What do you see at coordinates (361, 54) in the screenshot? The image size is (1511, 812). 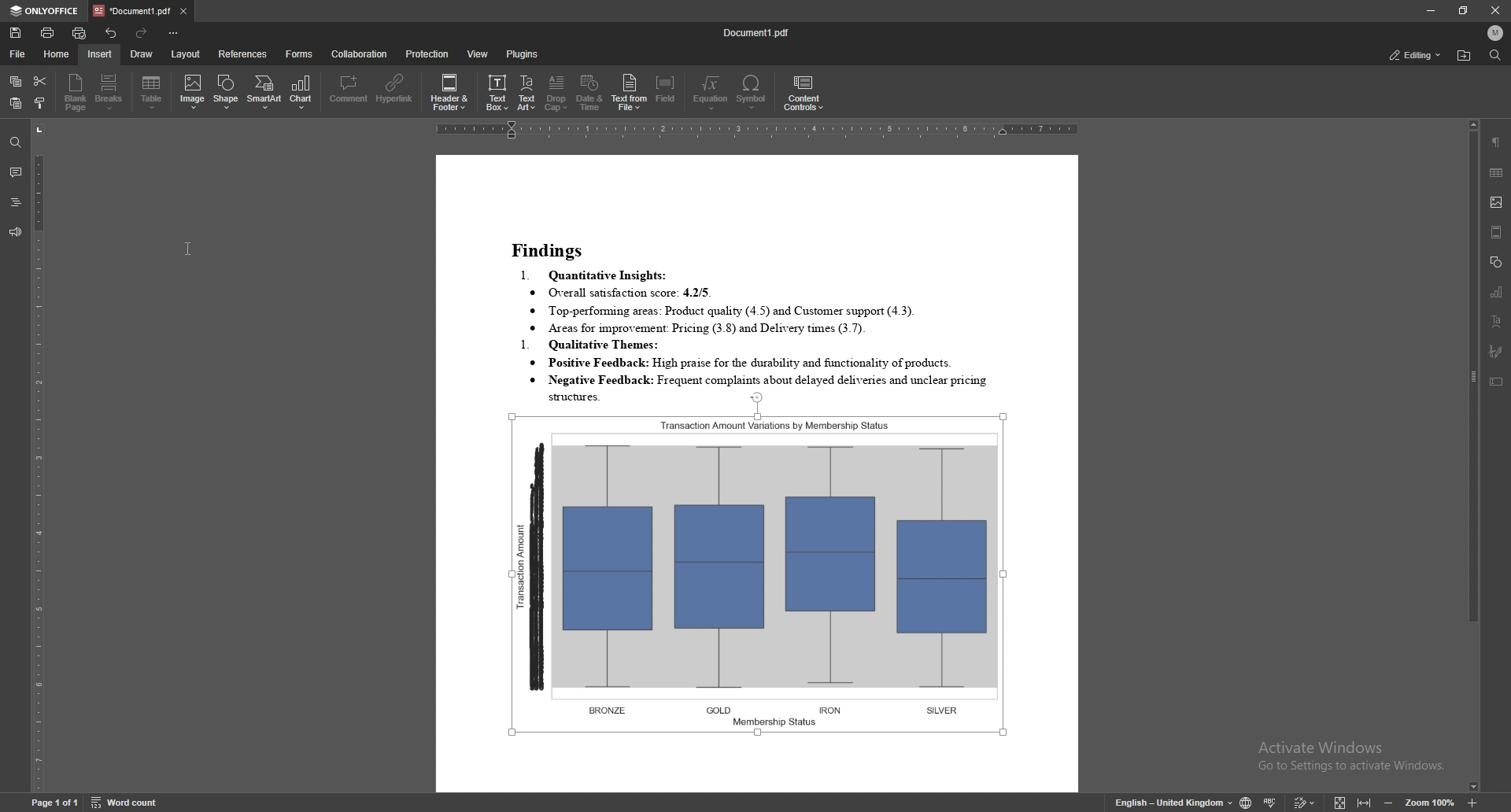 I see `collaboration` at bounding box center [361, 54].